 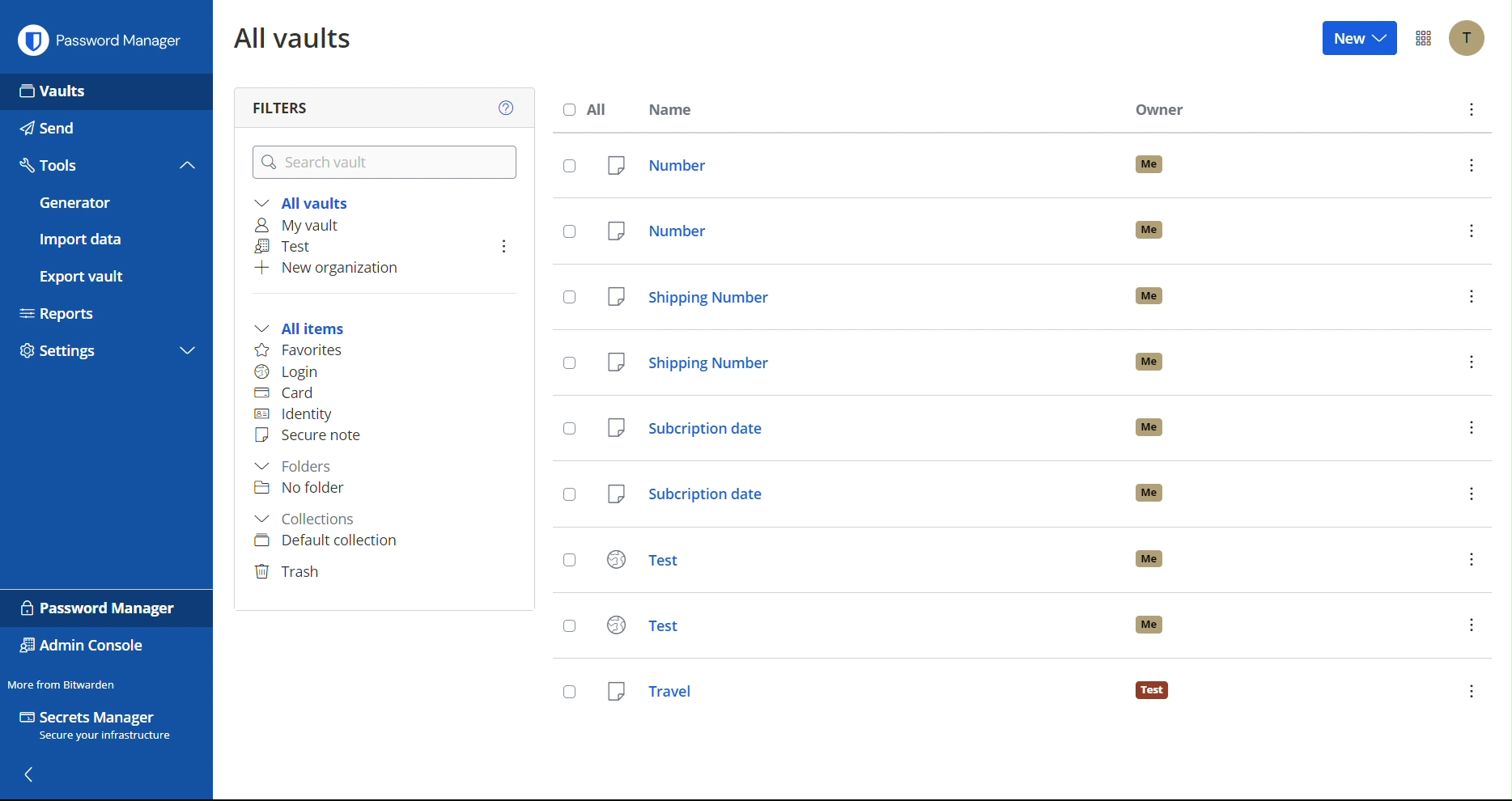 I want to click on More Options, so click(x=1424, y=39).